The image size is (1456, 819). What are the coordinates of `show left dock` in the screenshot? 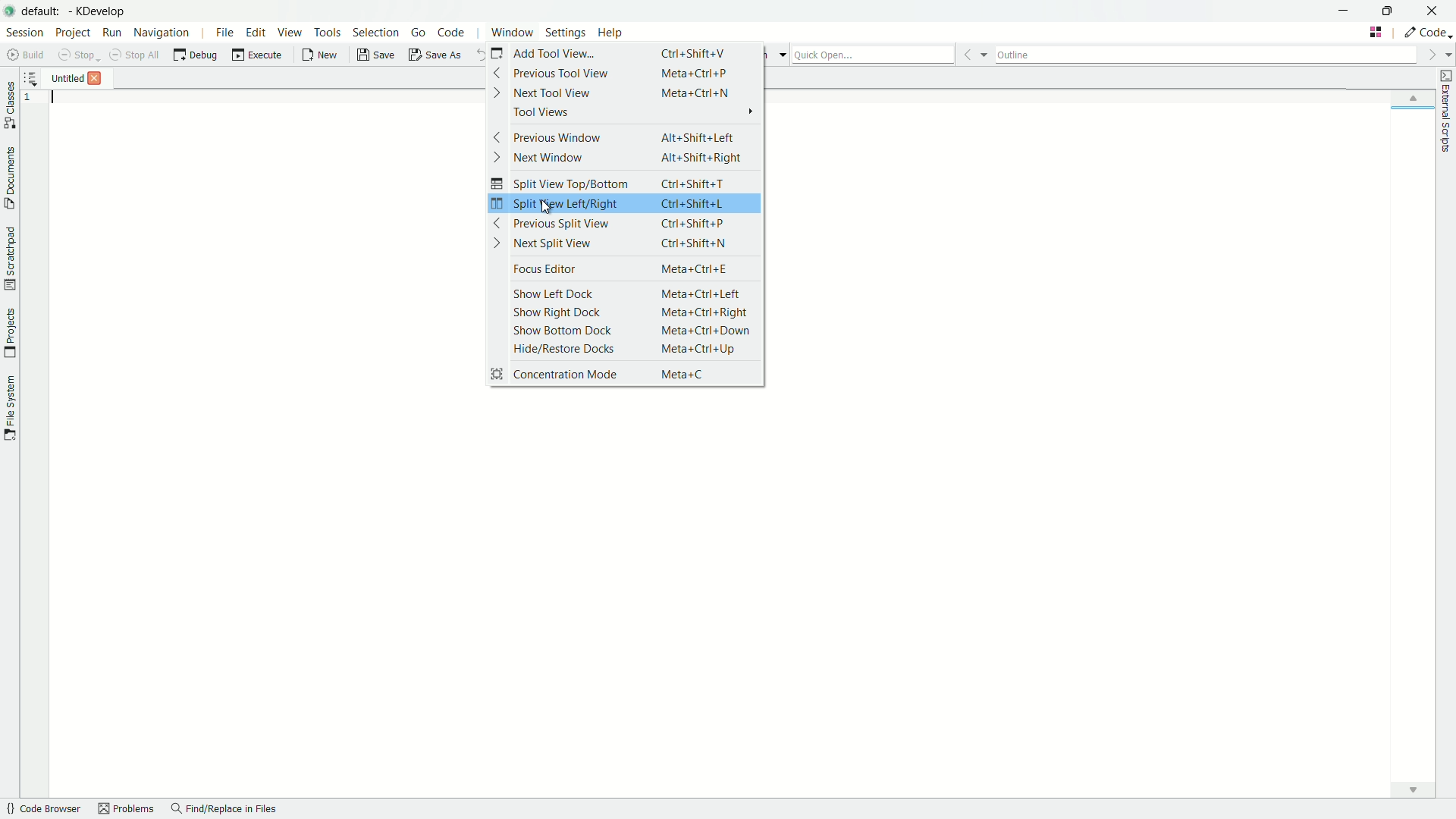 It's located at (574, 293).